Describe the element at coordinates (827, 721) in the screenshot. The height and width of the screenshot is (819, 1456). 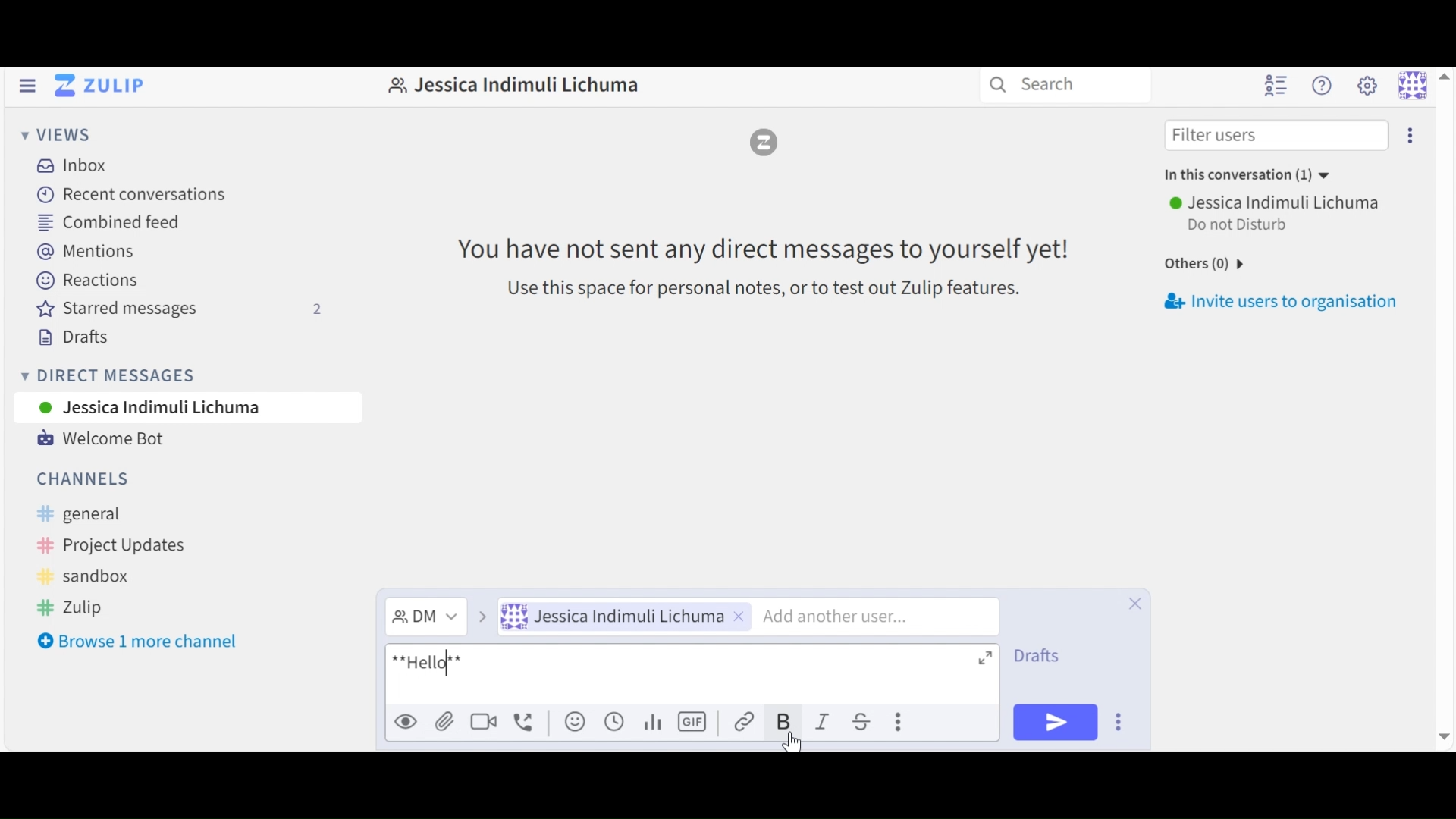
I see `Italics` at that location.